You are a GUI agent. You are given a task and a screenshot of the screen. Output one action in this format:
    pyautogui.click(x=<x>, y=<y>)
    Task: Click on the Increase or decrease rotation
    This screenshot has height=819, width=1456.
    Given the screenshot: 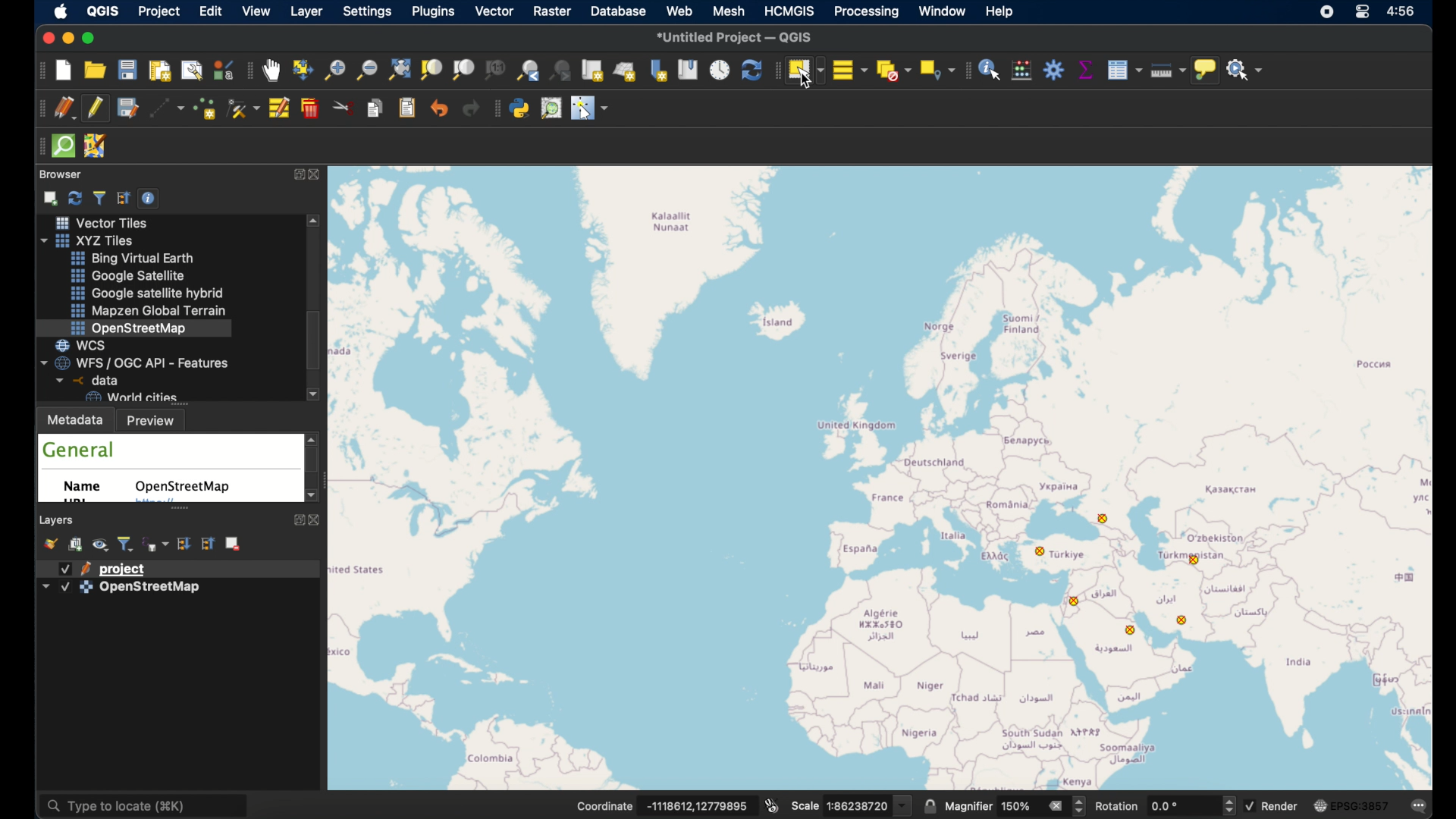 What is the action you would take?
    pyautogui.click(x=1228, y=805)
    